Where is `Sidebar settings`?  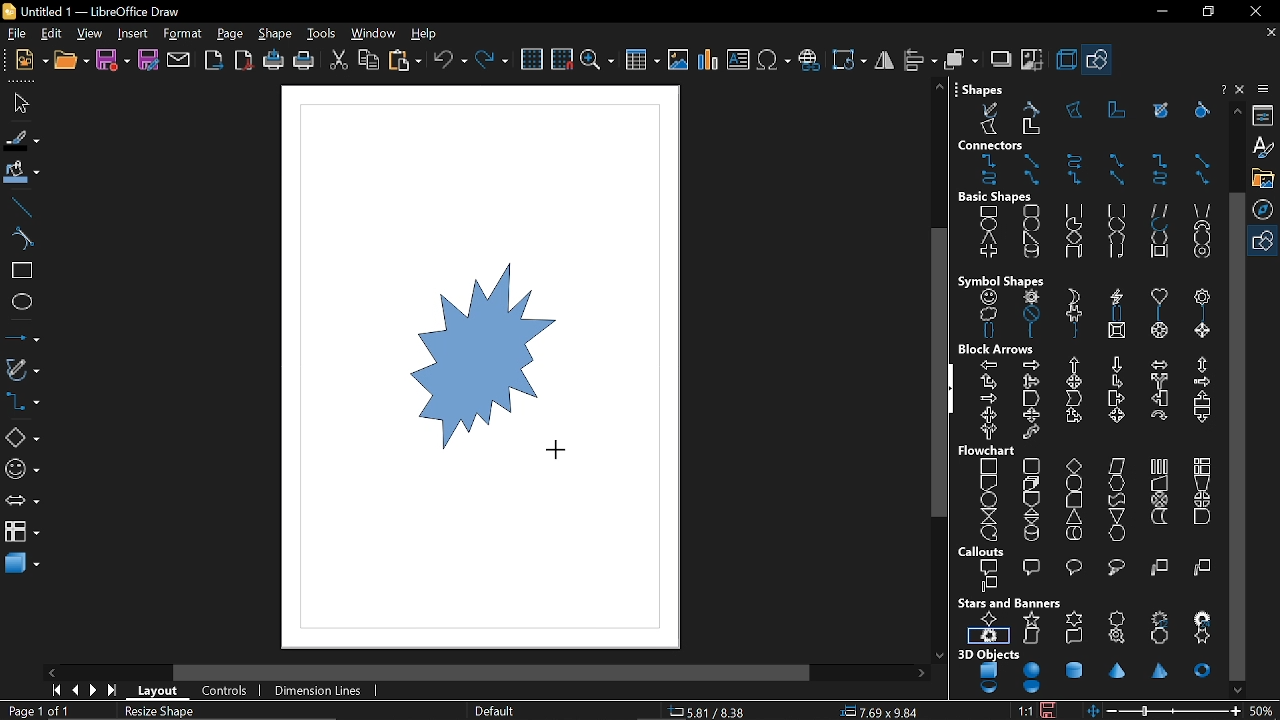
Sidebar settings is located at coordinates (1266, 89).